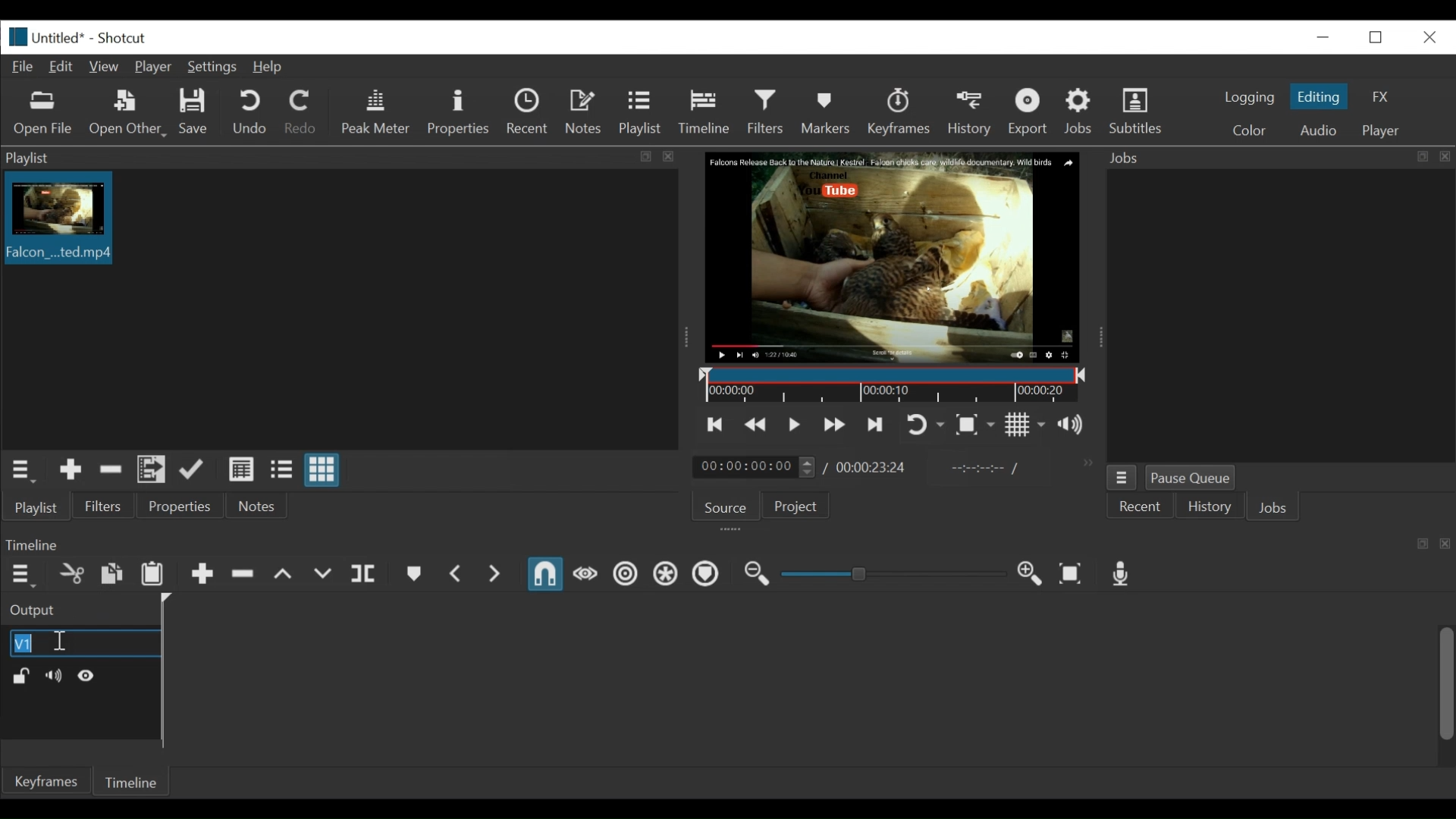 The height and width of the screenshot is (819, 1456). Describe the element at coordinates (284, 573) in the screenshot. I see `Lift` at that location.